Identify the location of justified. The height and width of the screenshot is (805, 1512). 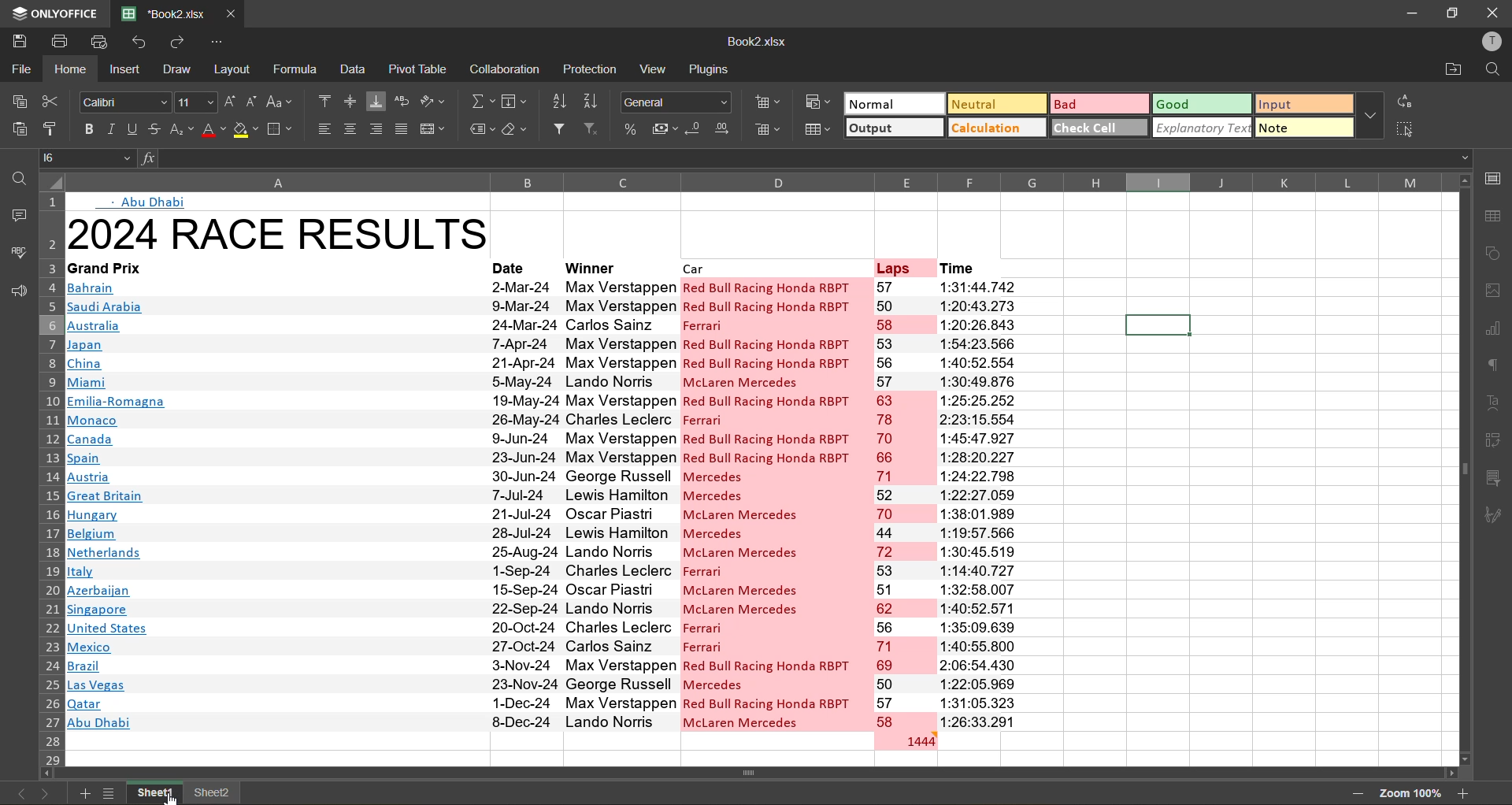
(401, 131).